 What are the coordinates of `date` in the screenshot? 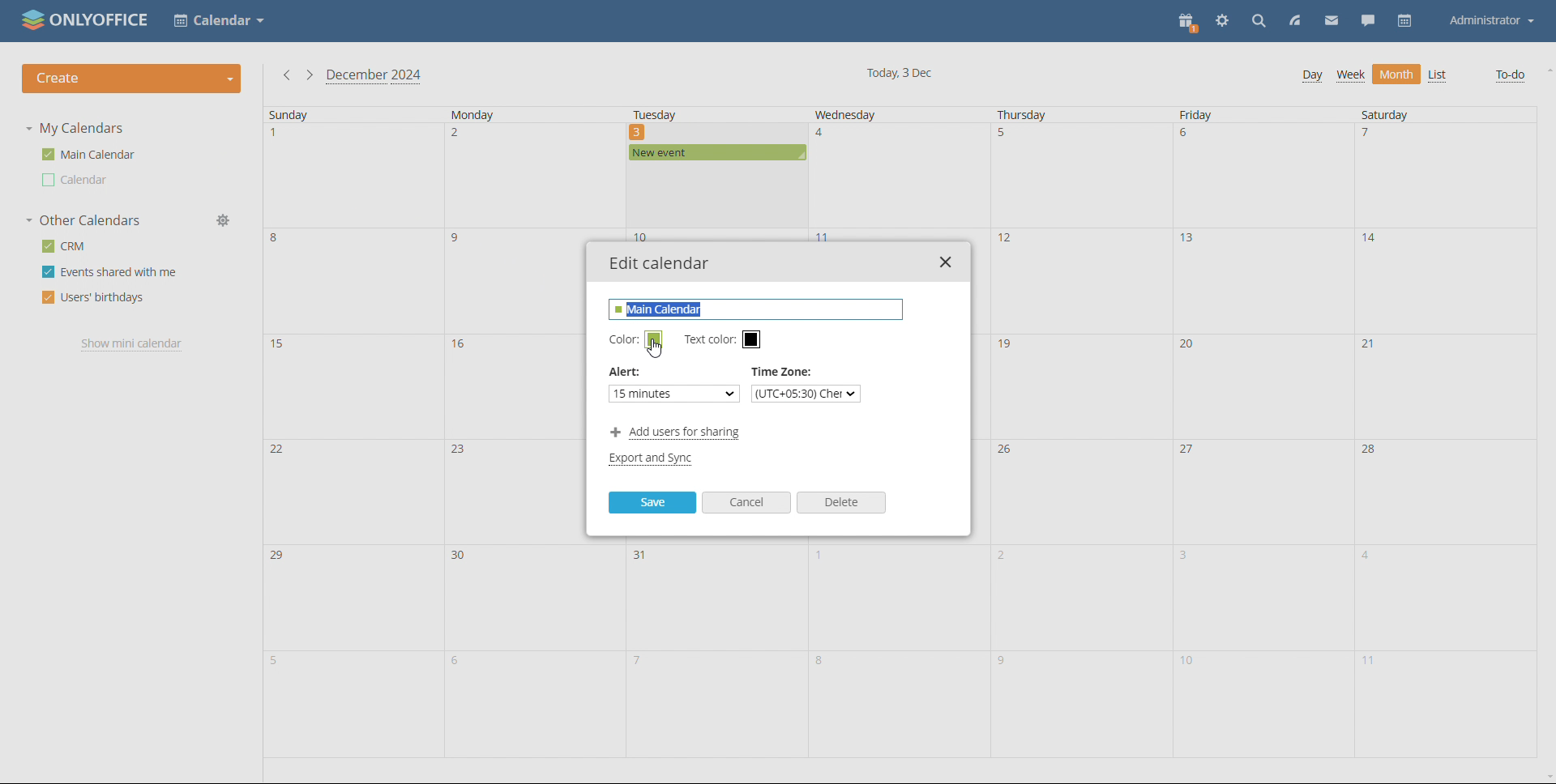 It's located at (1443, 491).